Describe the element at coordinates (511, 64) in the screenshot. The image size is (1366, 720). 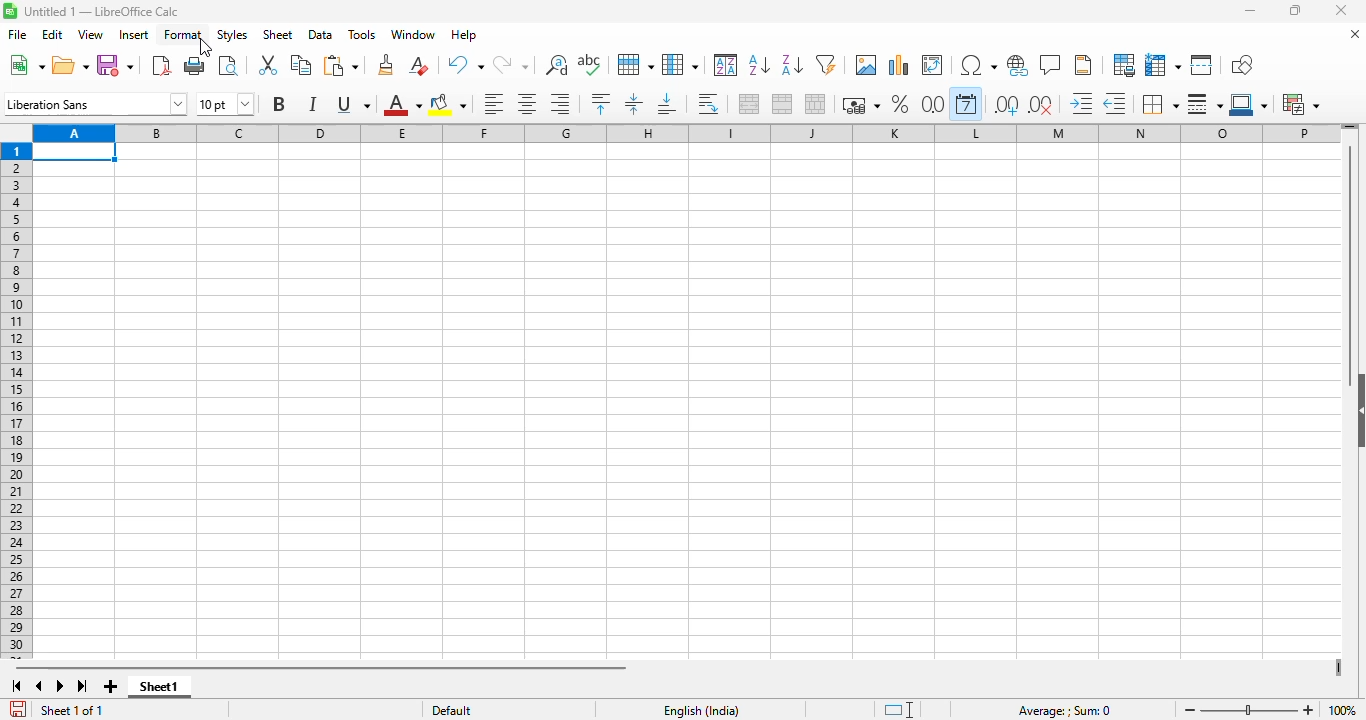
I see `redo` at that location.